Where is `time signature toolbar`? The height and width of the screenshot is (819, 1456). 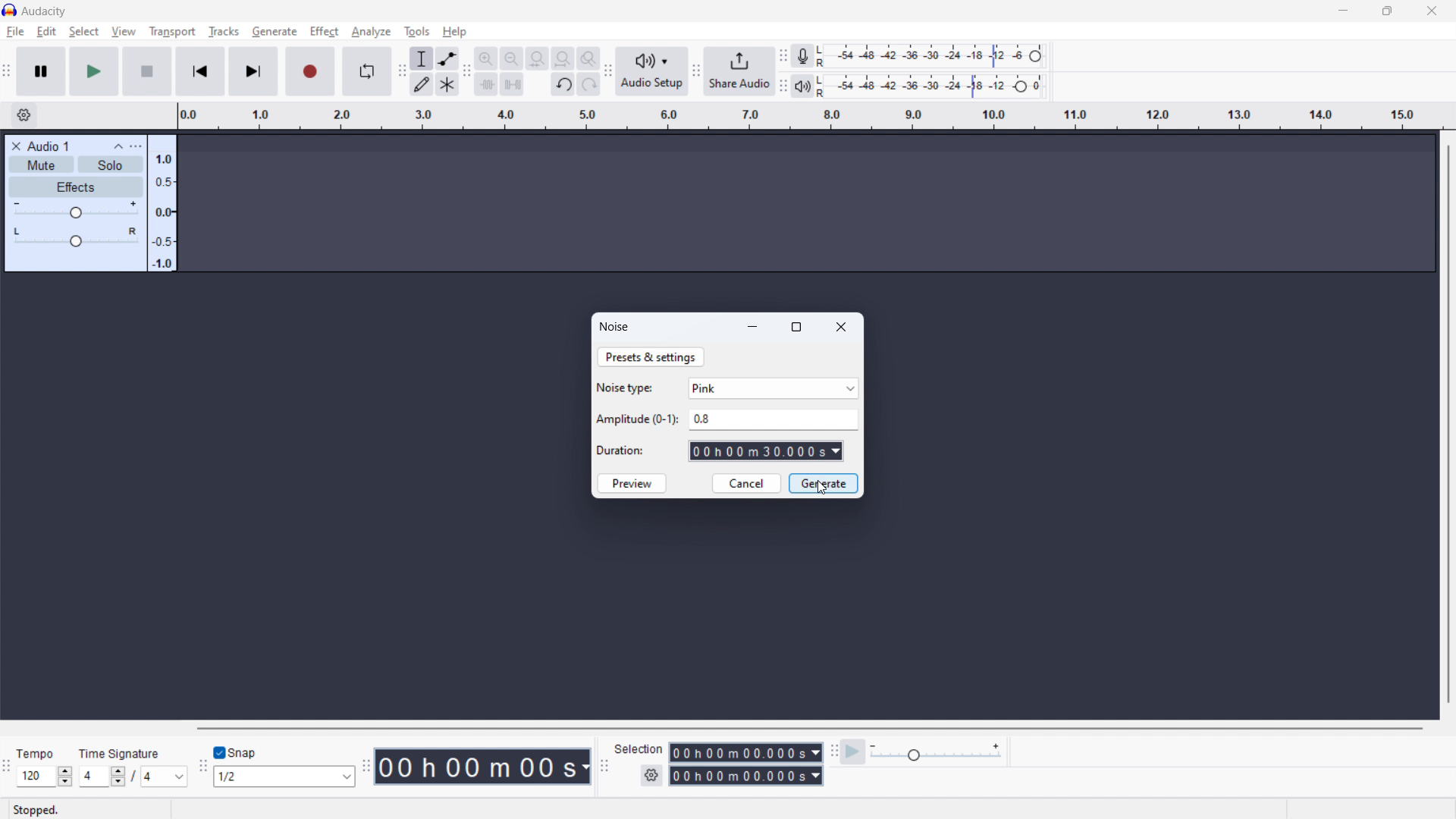
time signature toolbar is located at coordinates (8, 768).